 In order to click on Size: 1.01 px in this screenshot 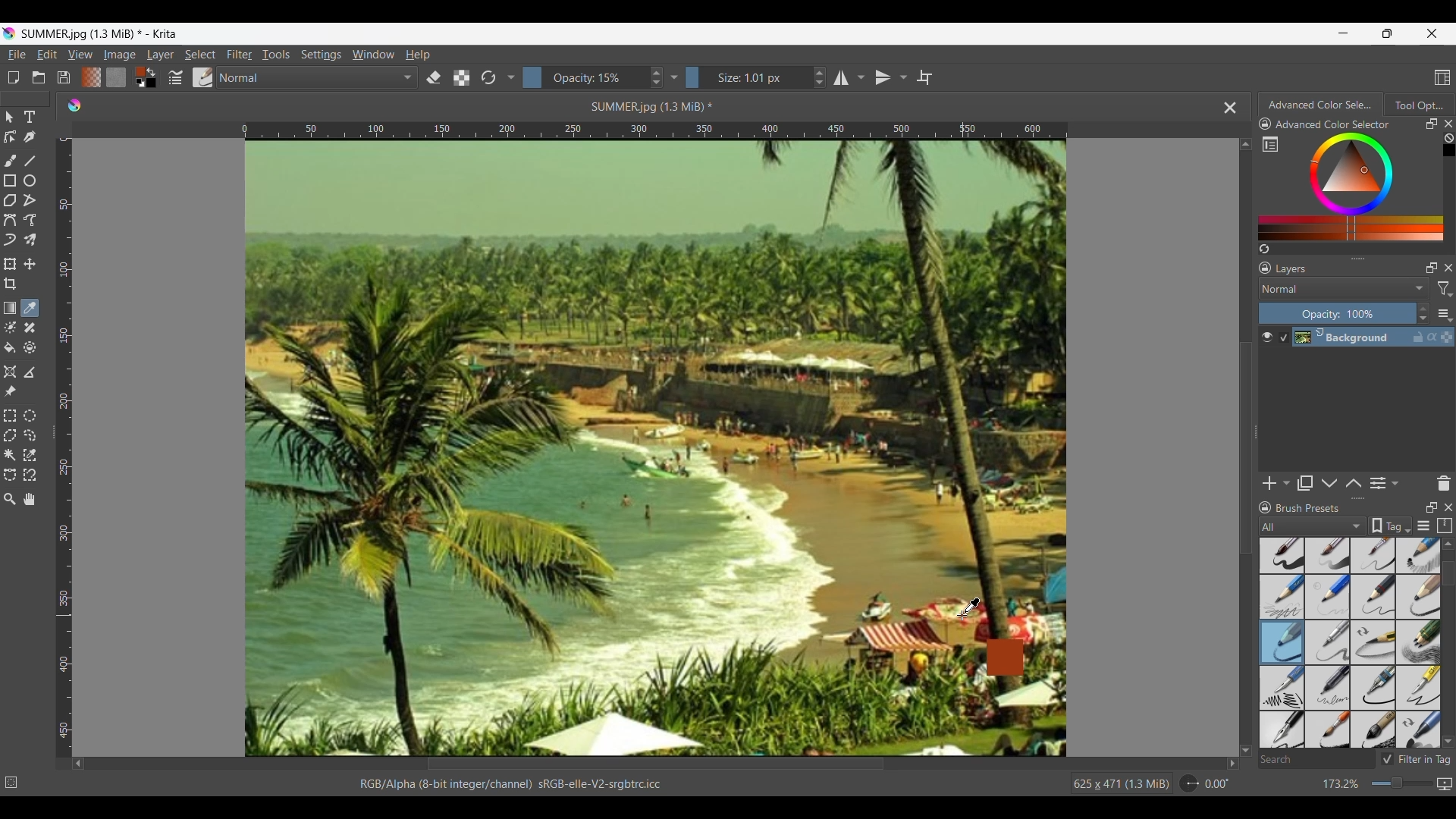, I will do `click(747, 77)`.